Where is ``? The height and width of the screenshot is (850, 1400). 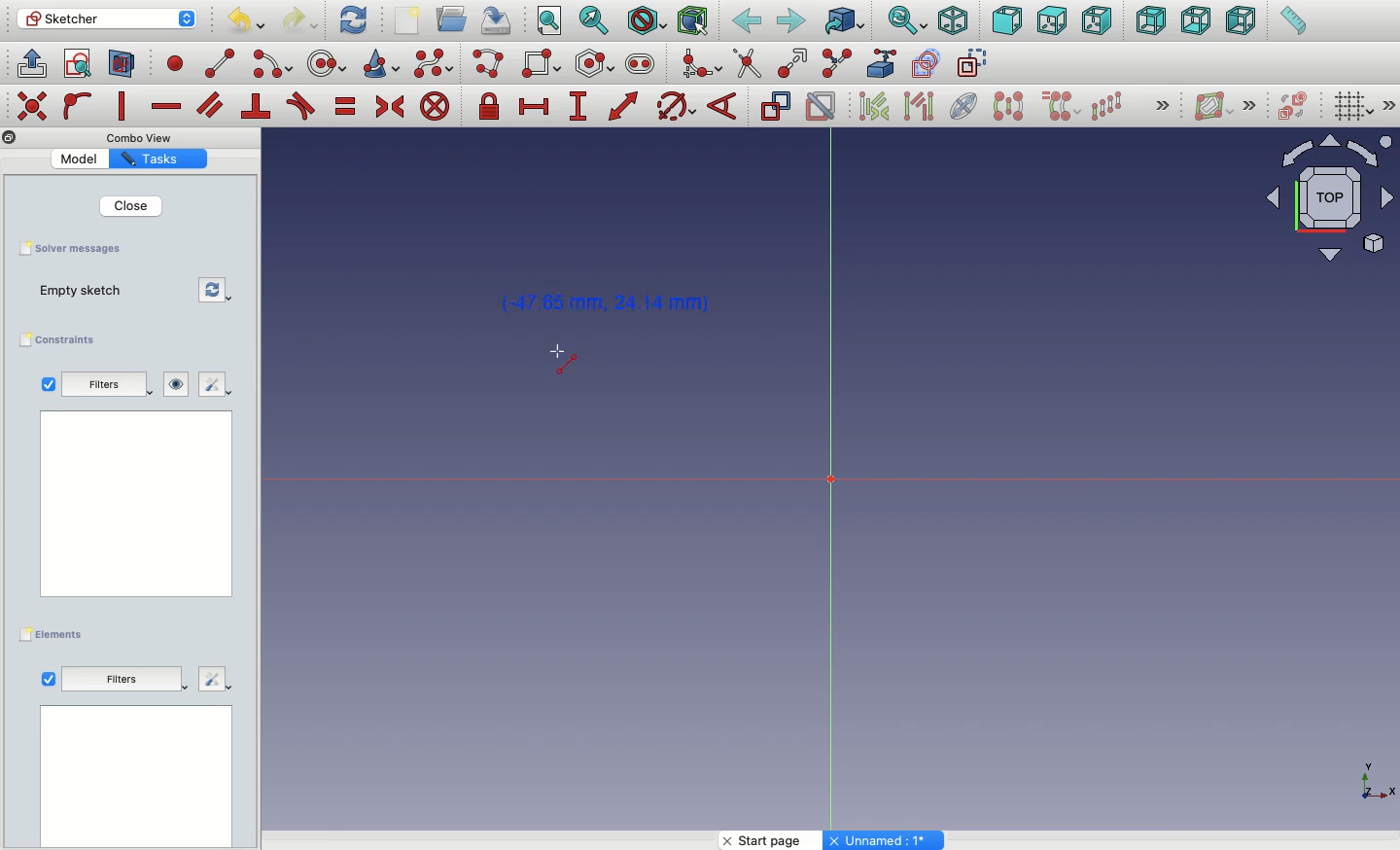
 is located at coordinates (886, 840).